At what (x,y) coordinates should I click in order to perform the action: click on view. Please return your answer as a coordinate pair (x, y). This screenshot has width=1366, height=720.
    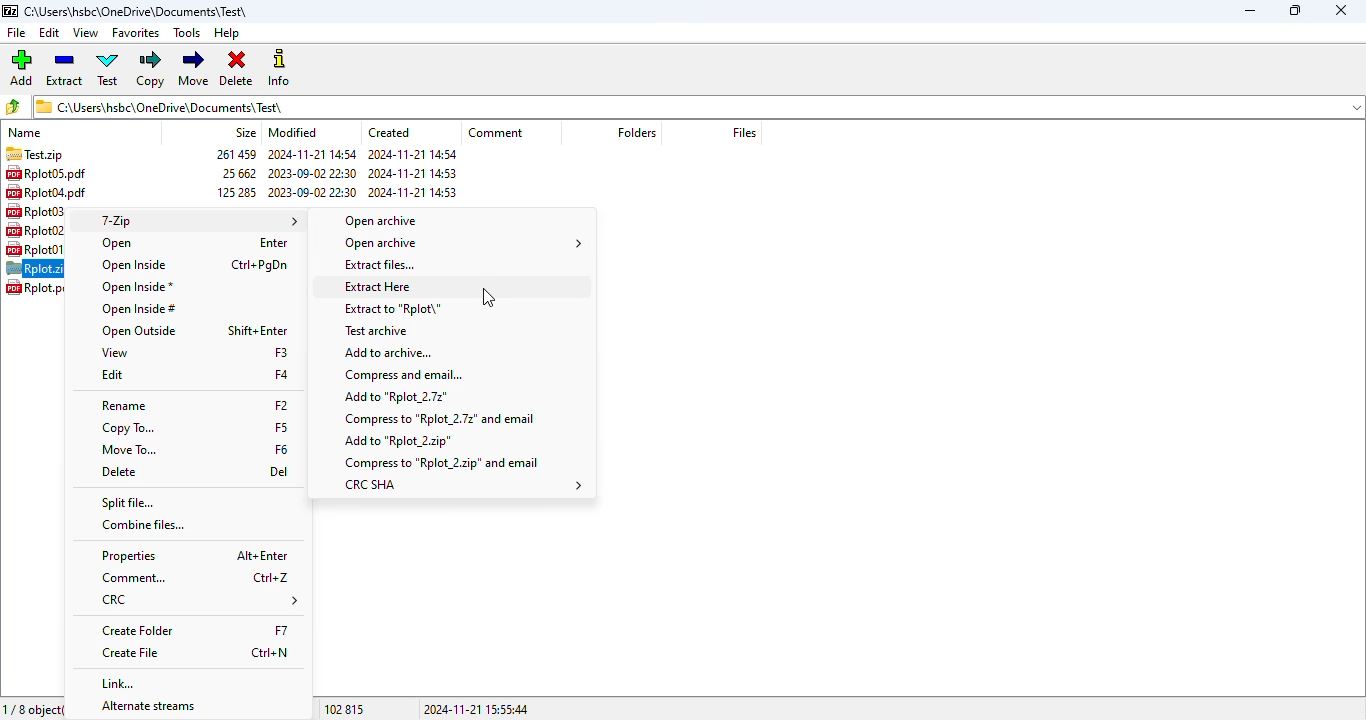
    Looking at the image, I should click on (115, 353).